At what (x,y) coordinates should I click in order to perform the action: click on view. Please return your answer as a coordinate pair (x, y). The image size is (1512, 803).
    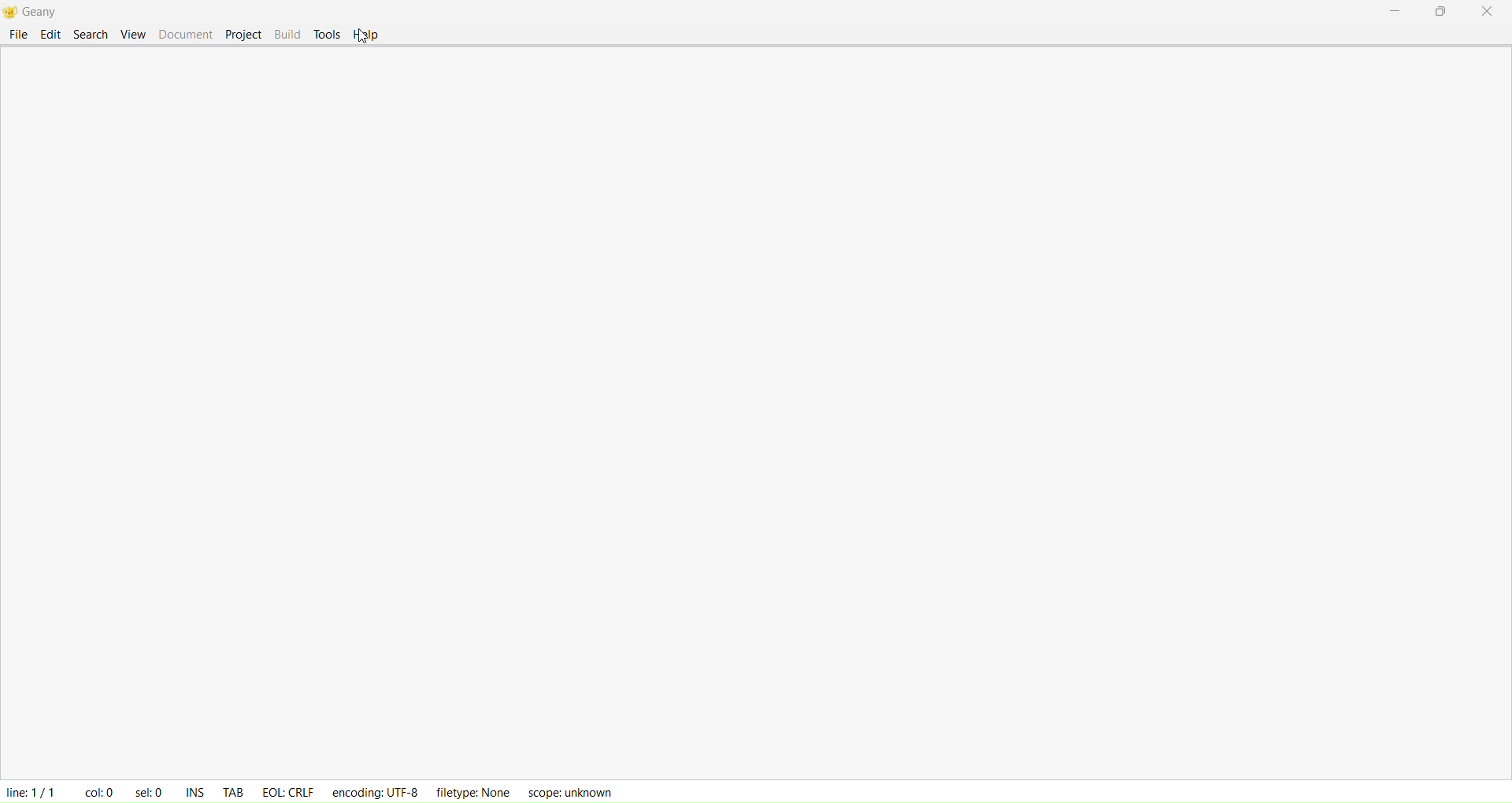
    Looking at the image, I should click on (133, 33).